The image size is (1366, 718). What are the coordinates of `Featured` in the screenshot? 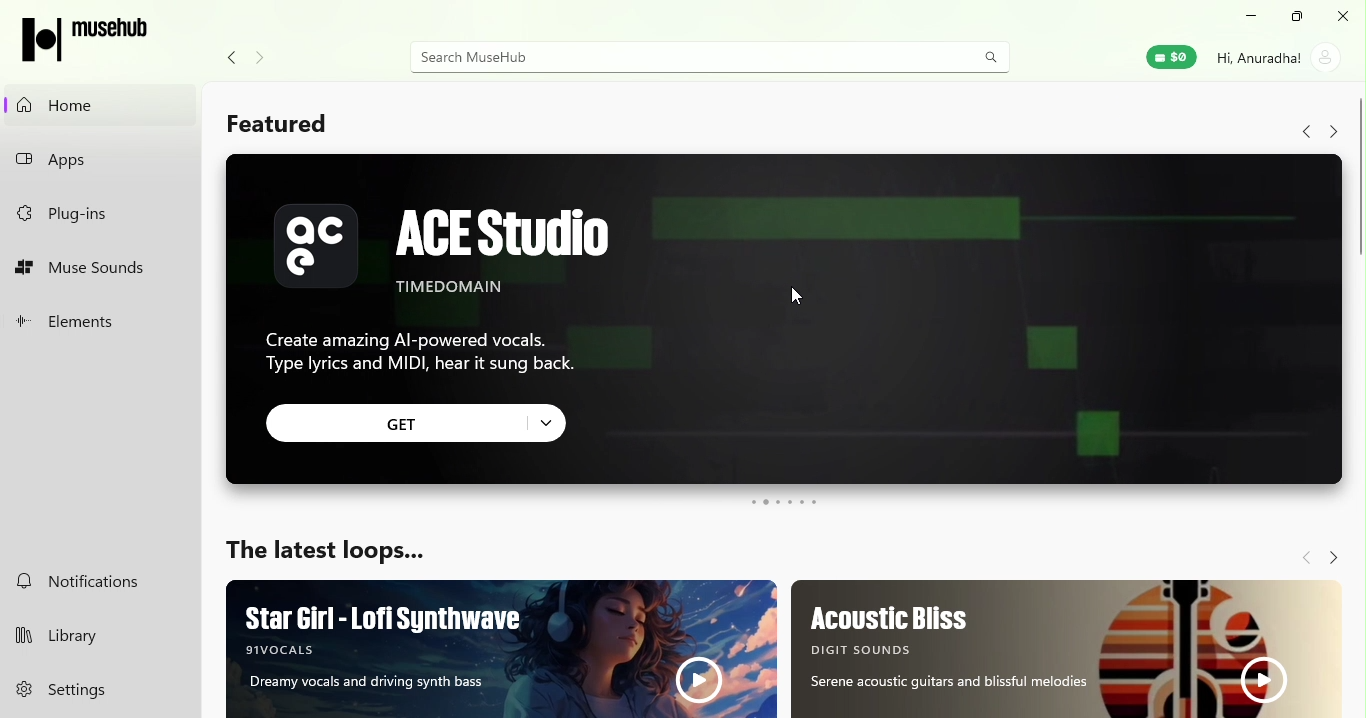 It's located at (273, 121).